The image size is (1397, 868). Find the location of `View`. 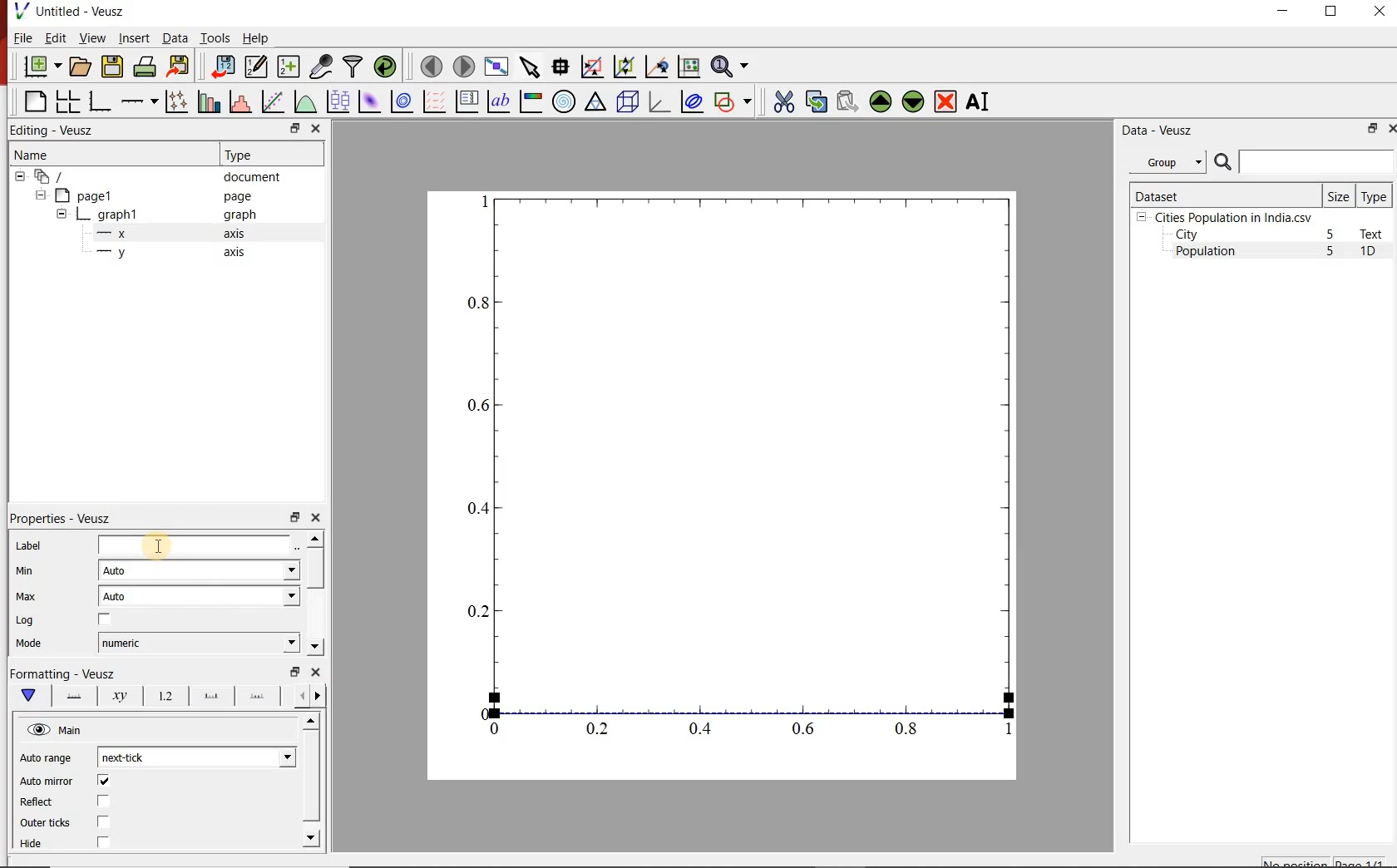

View is located at coordinates (89, 37).